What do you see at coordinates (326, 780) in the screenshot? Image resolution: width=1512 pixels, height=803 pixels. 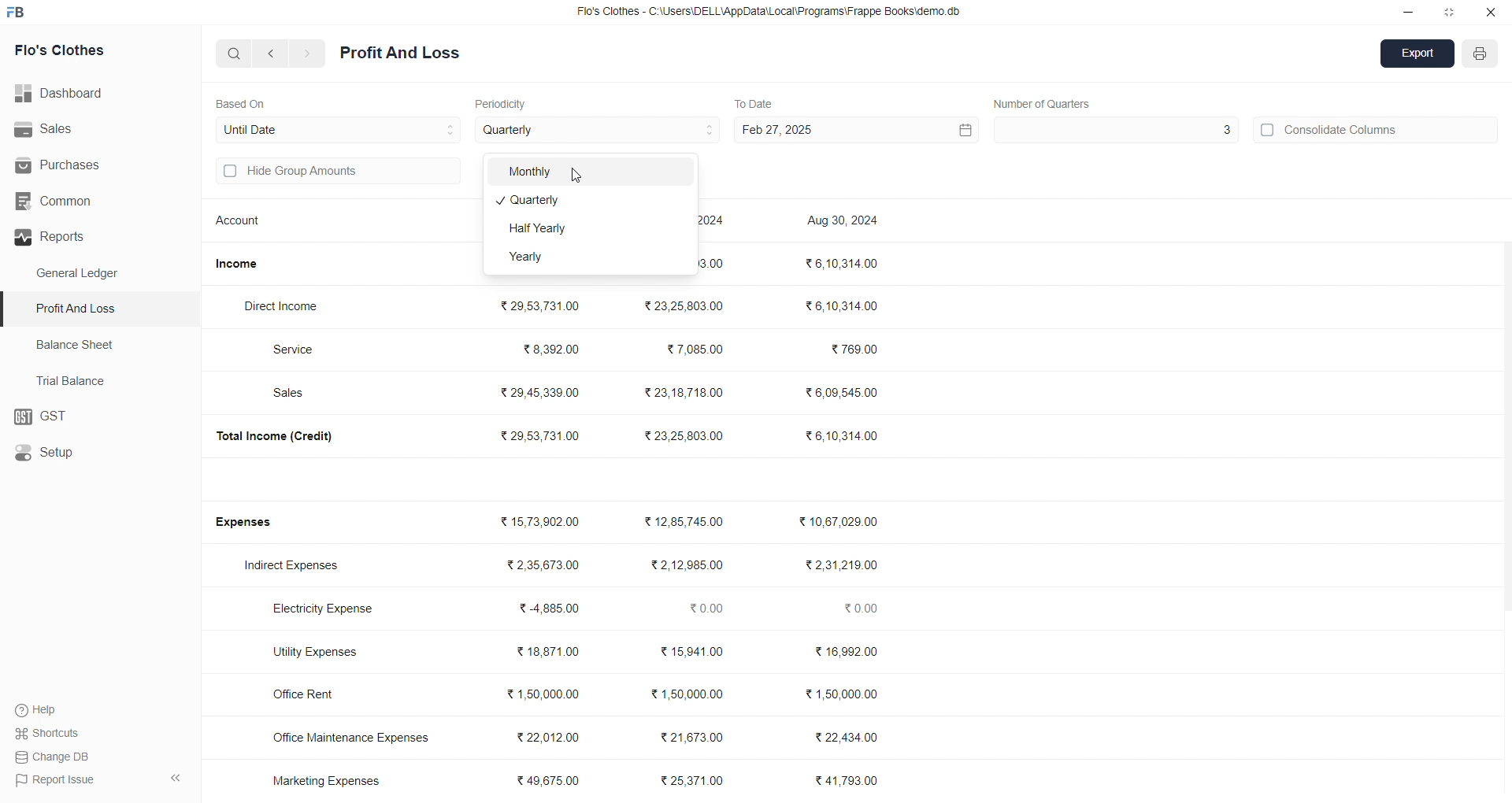 I see `Marketing Expenses` at bounding box center [326, 780].